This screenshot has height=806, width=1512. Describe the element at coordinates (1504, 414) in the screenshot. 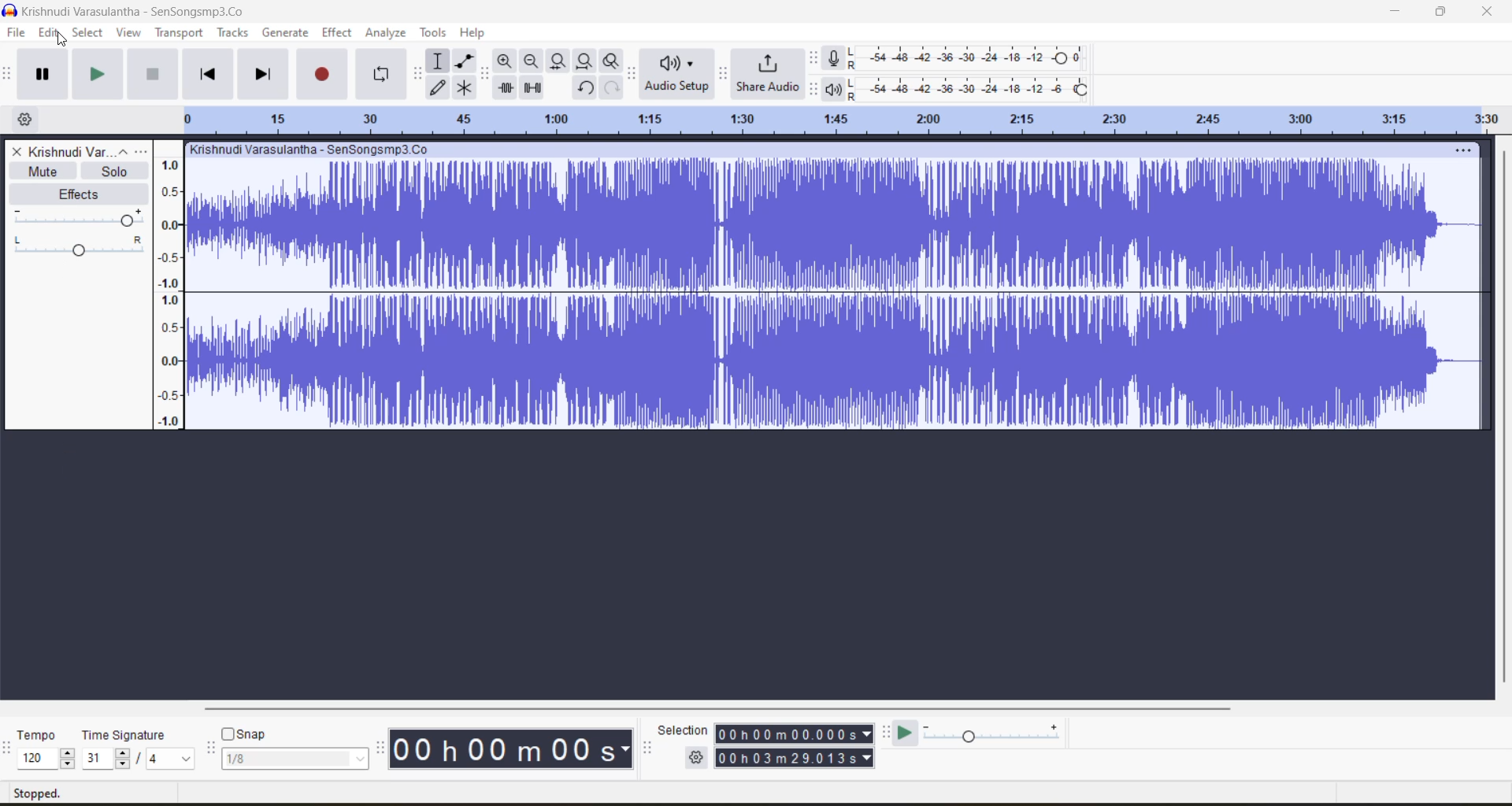

I see `verticle scroll bar` at that location.